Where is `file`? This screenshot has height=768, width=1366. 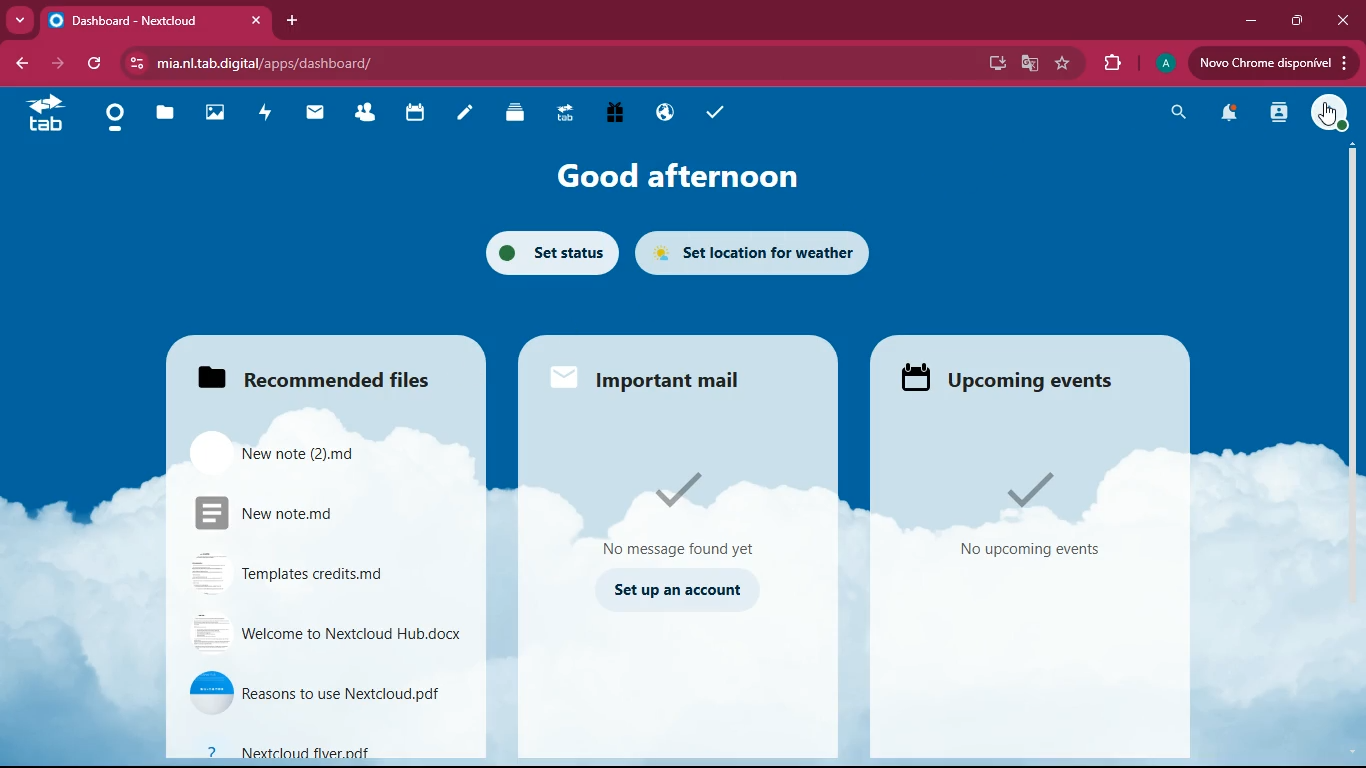
file is located at coordinates (330, 572).